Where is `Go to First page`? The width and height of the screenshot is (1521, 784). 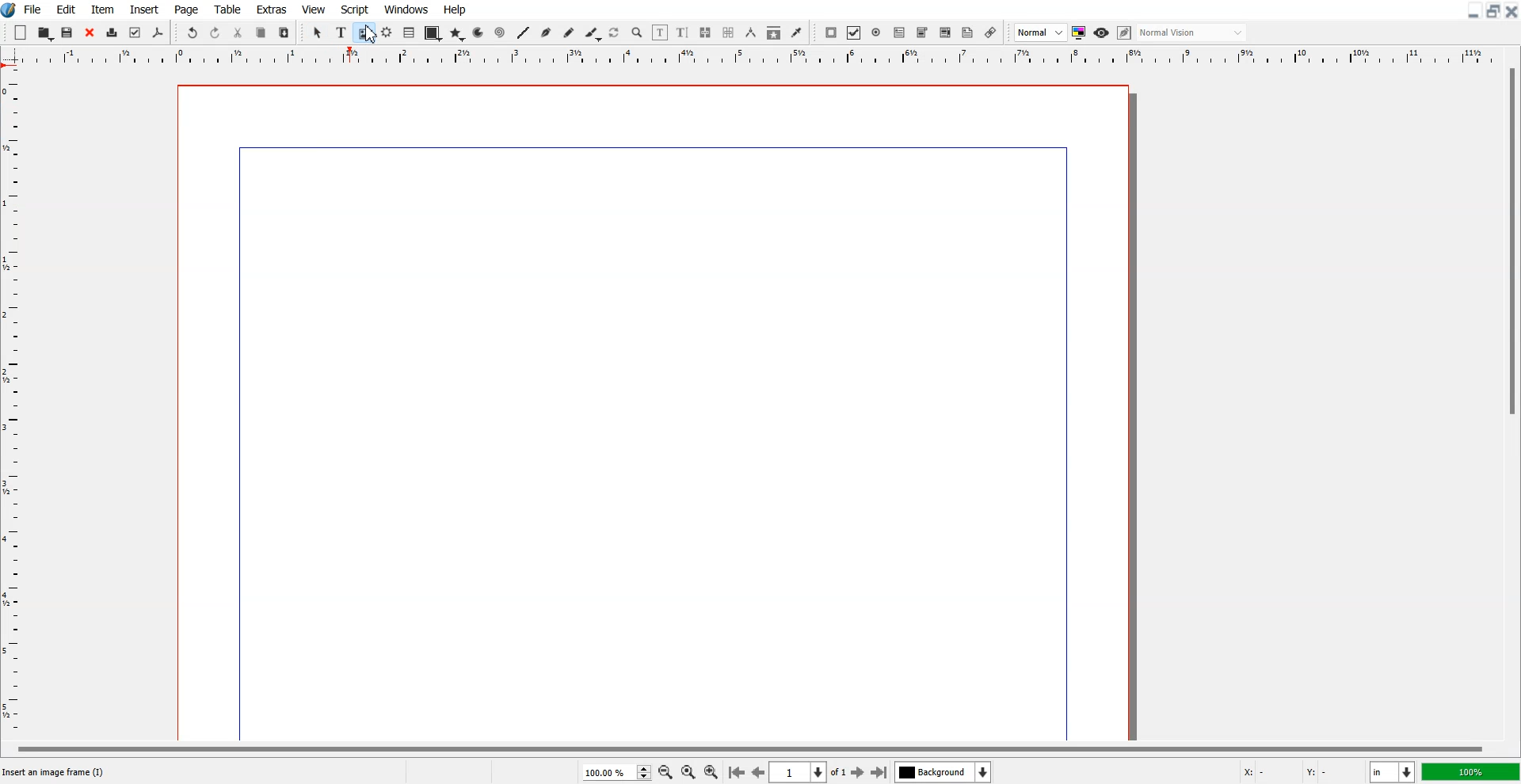
Go to First page is located at coordinates (737, 771).